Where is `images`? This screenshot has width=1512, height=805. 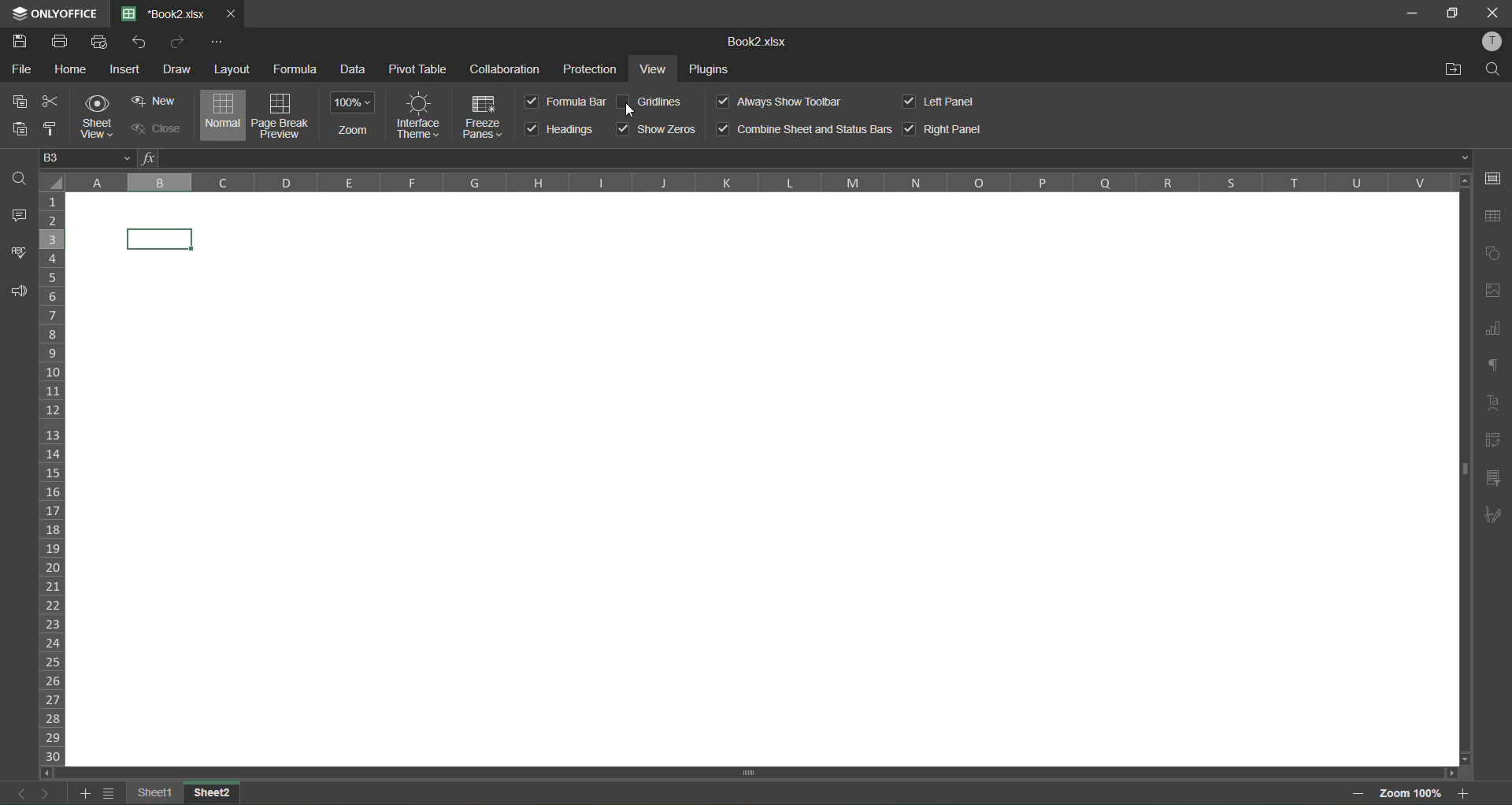 images is located at coordinates (1492, 293).